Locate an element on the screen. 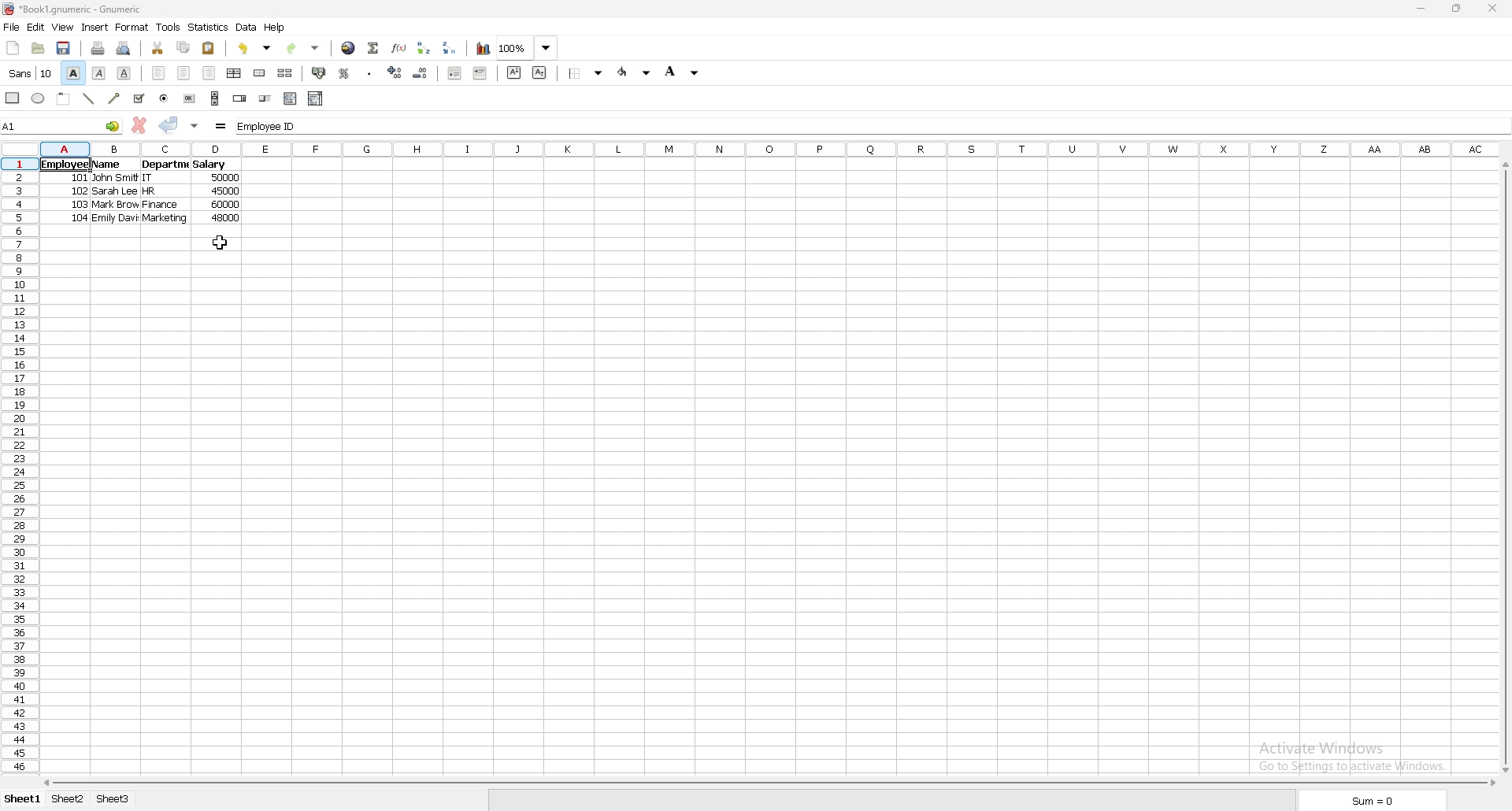 This screenshot has width=1512, height=811. line is located at coordinates (89, 98).